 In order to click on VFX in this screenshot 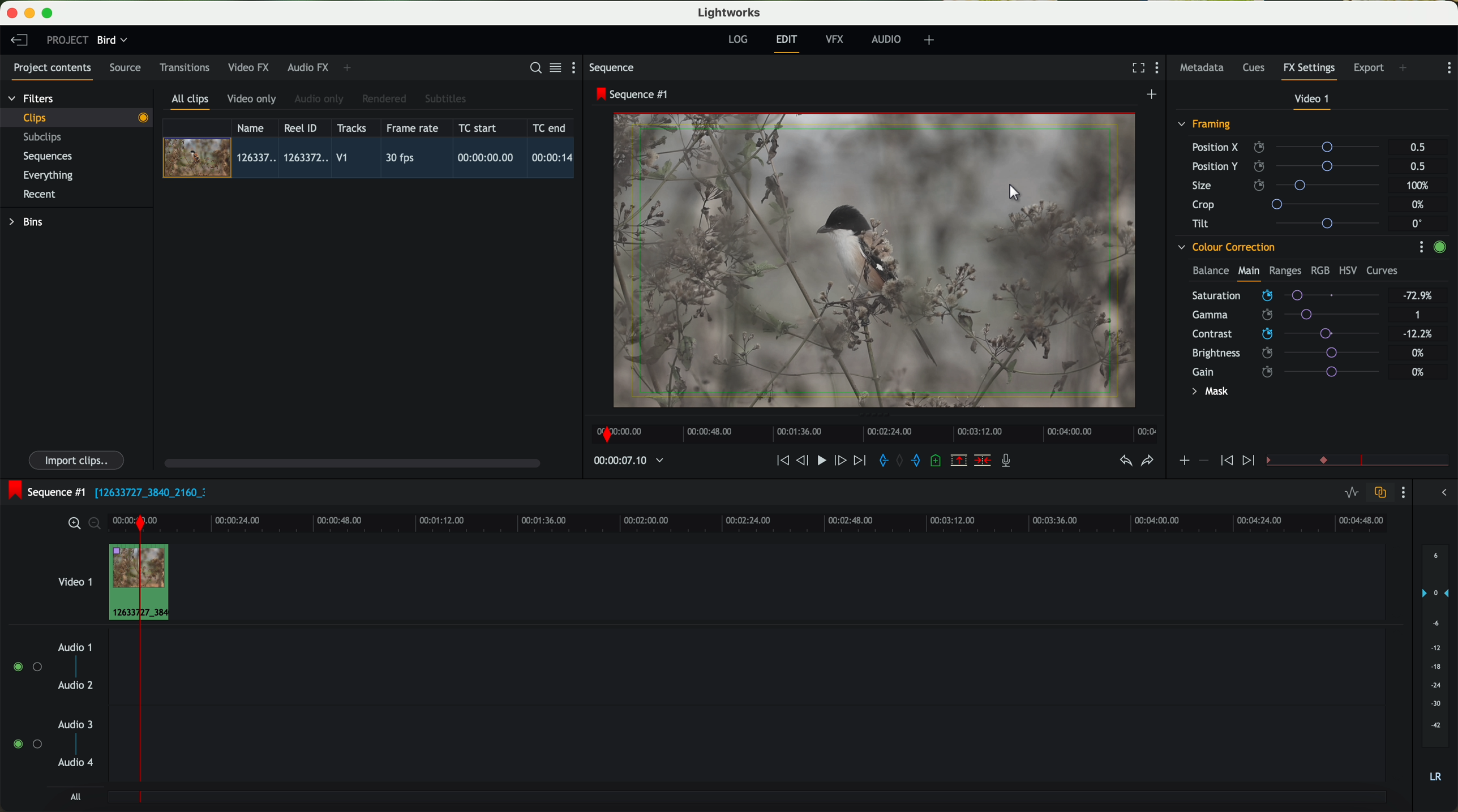, I will do `click(837, 40)`.